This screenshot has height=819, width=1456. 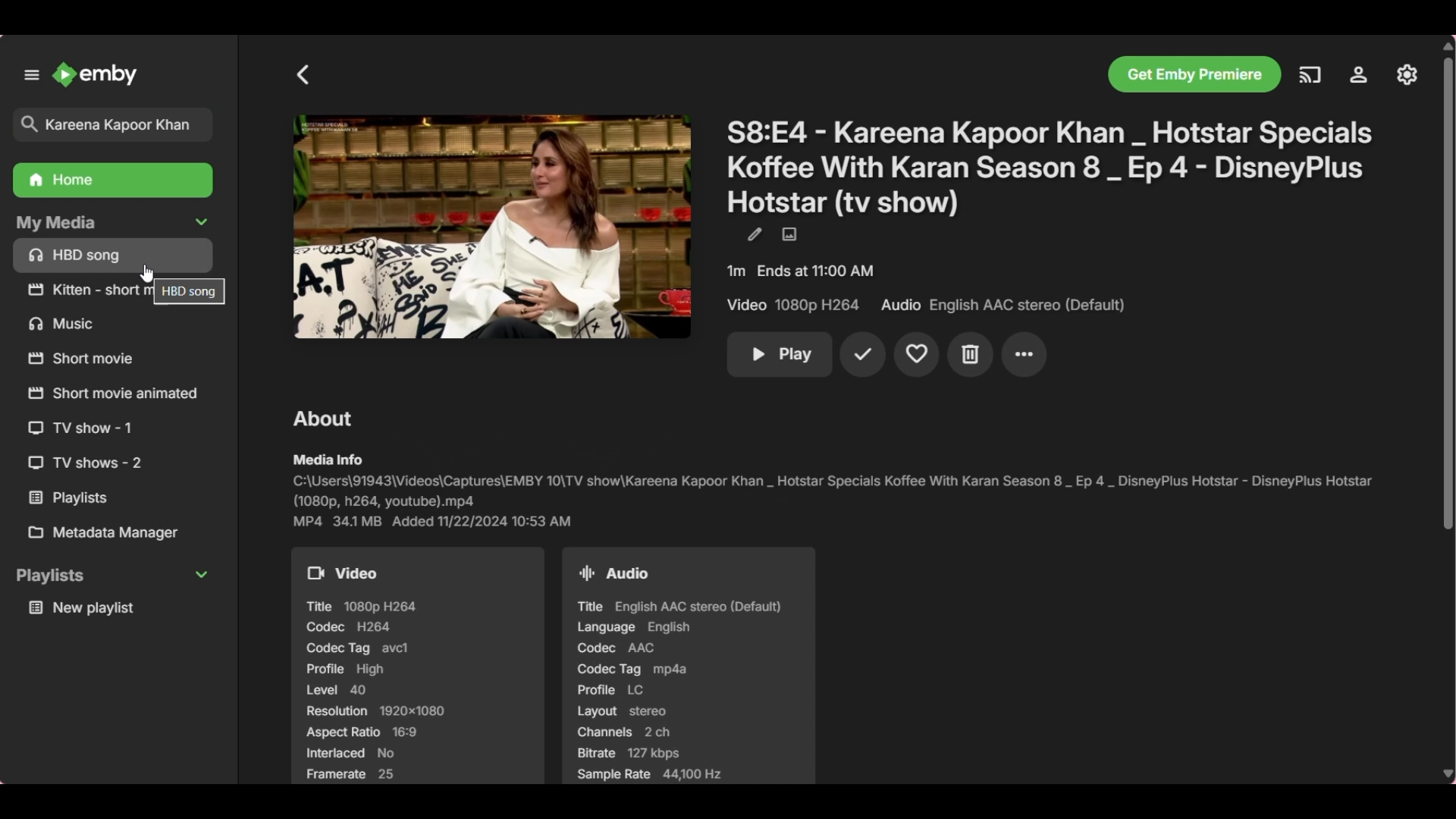 I want to click on Mark played, so click(x=863, y=354).